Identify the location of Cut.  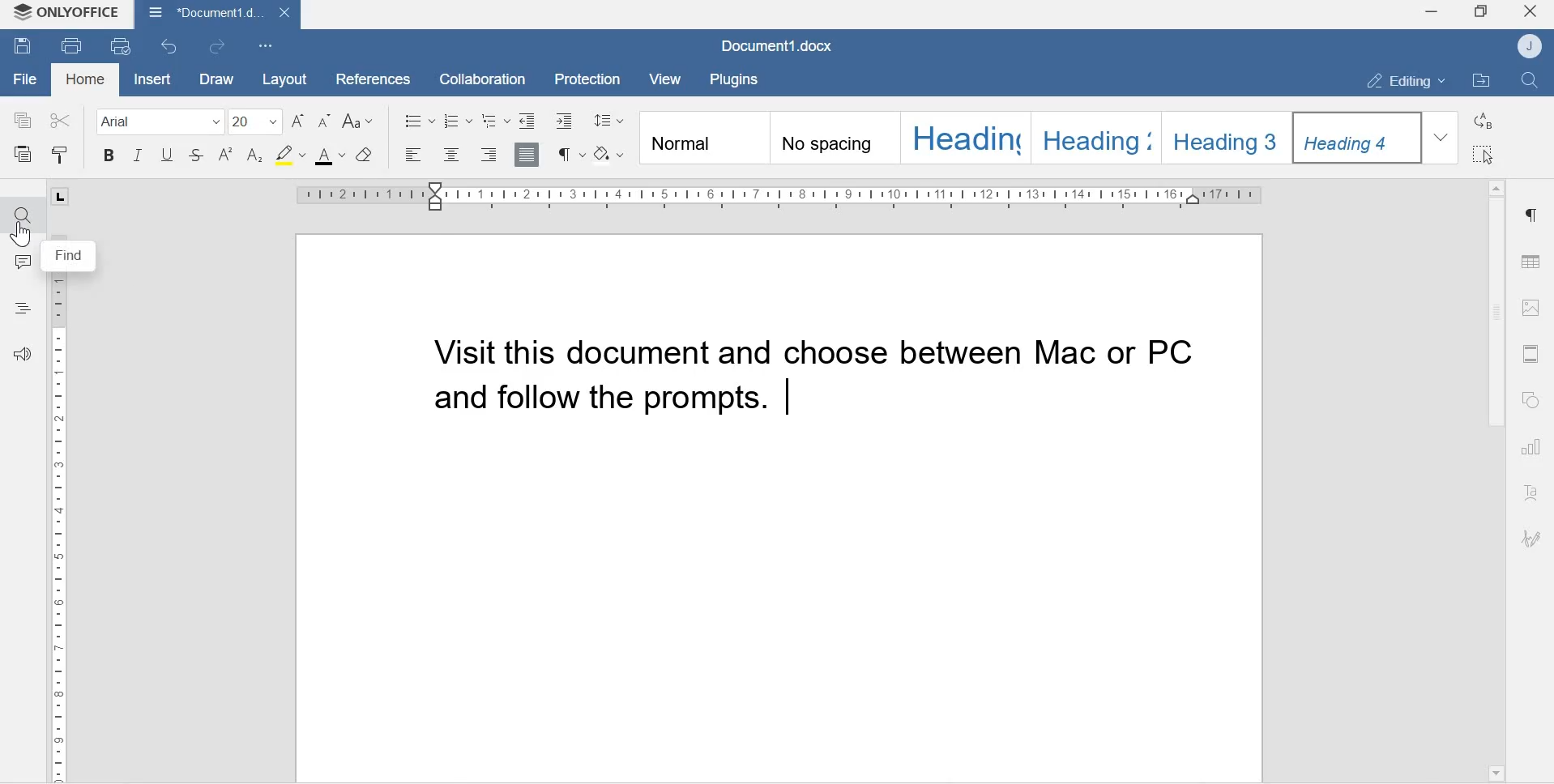
(60, 117).